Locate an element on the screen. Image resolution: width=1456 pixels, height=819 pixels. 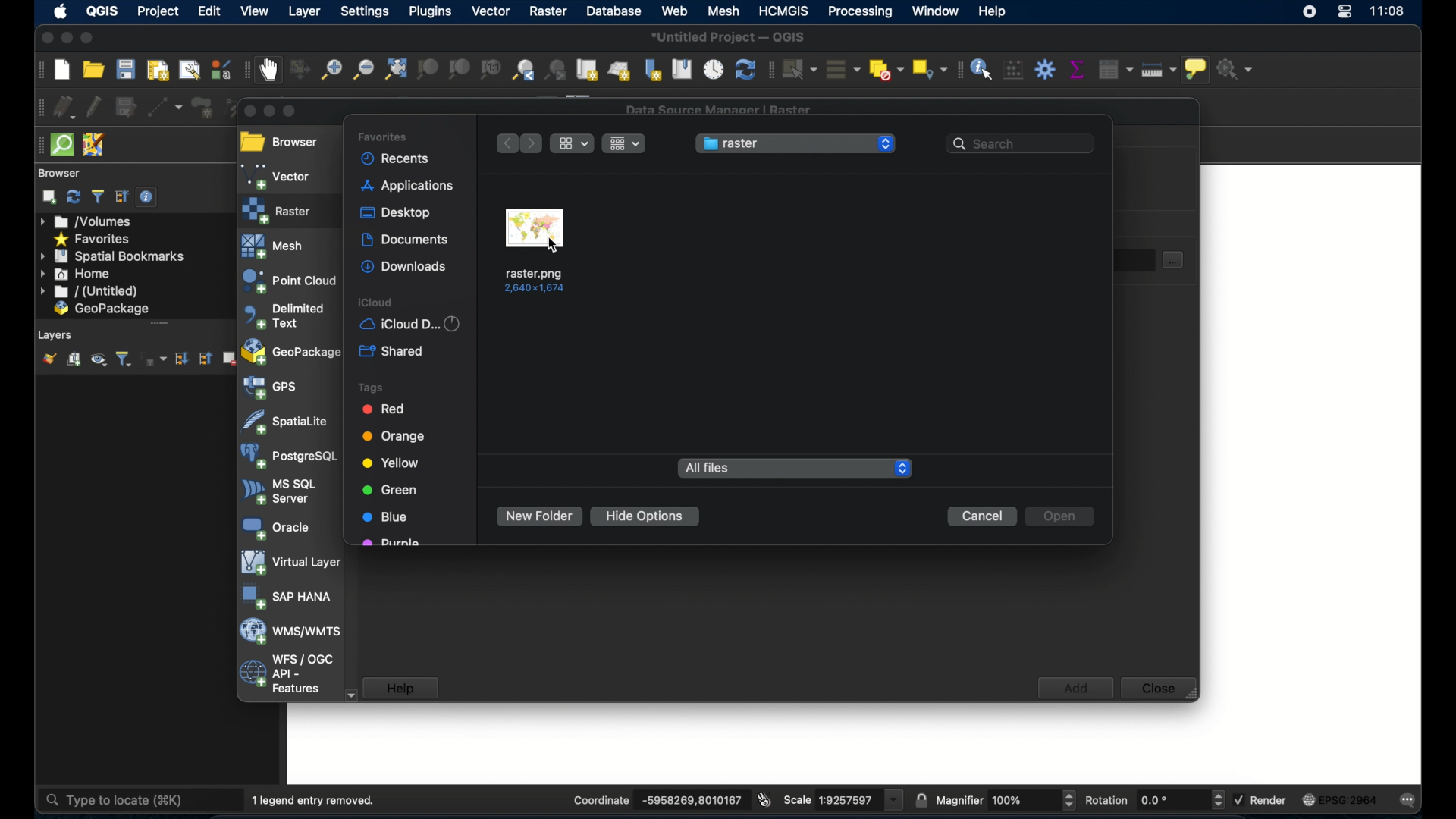
drag handle is located at coordinates (160, 322).